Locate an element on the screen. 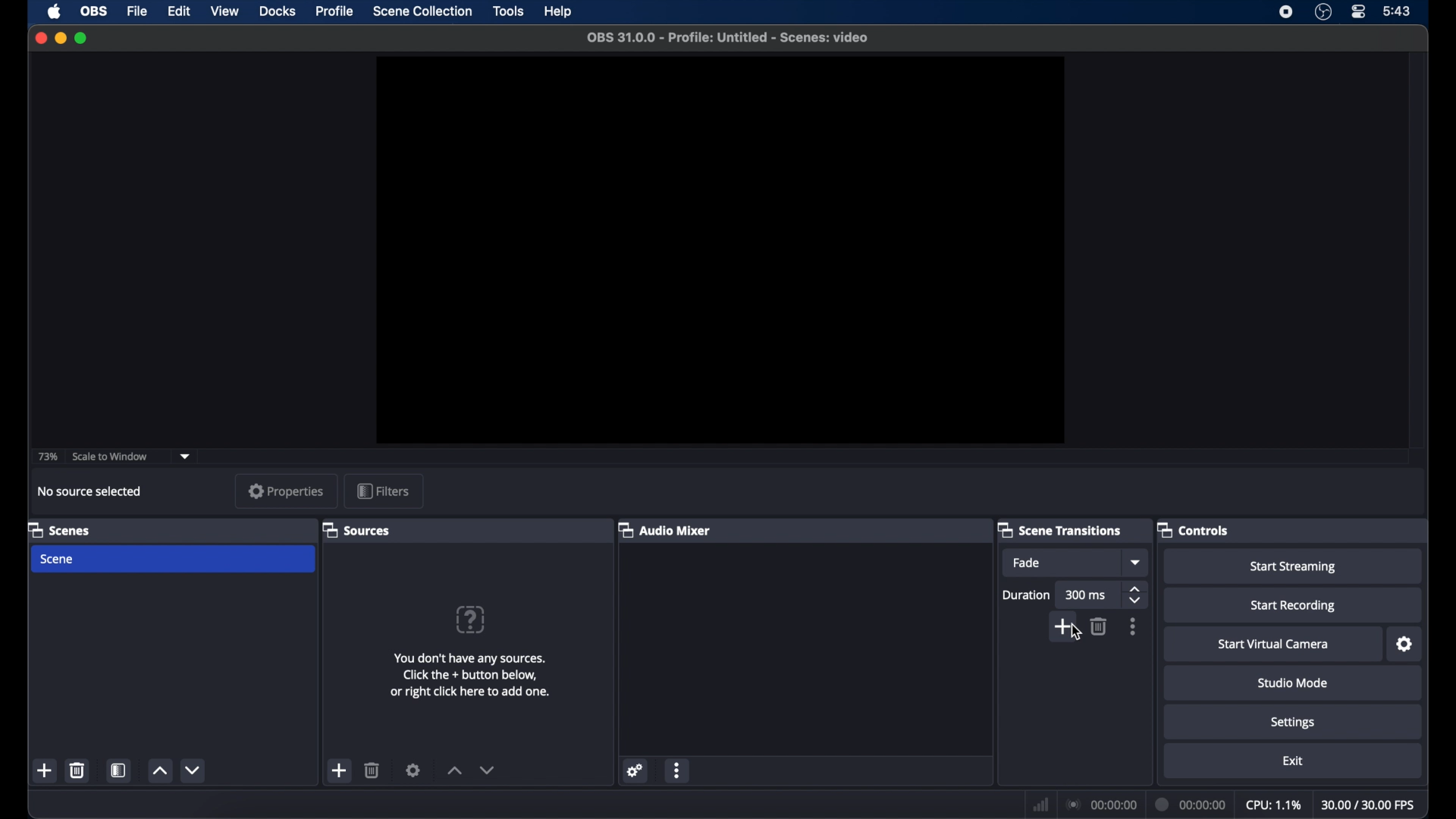  file is located at coordinates (137, 11).